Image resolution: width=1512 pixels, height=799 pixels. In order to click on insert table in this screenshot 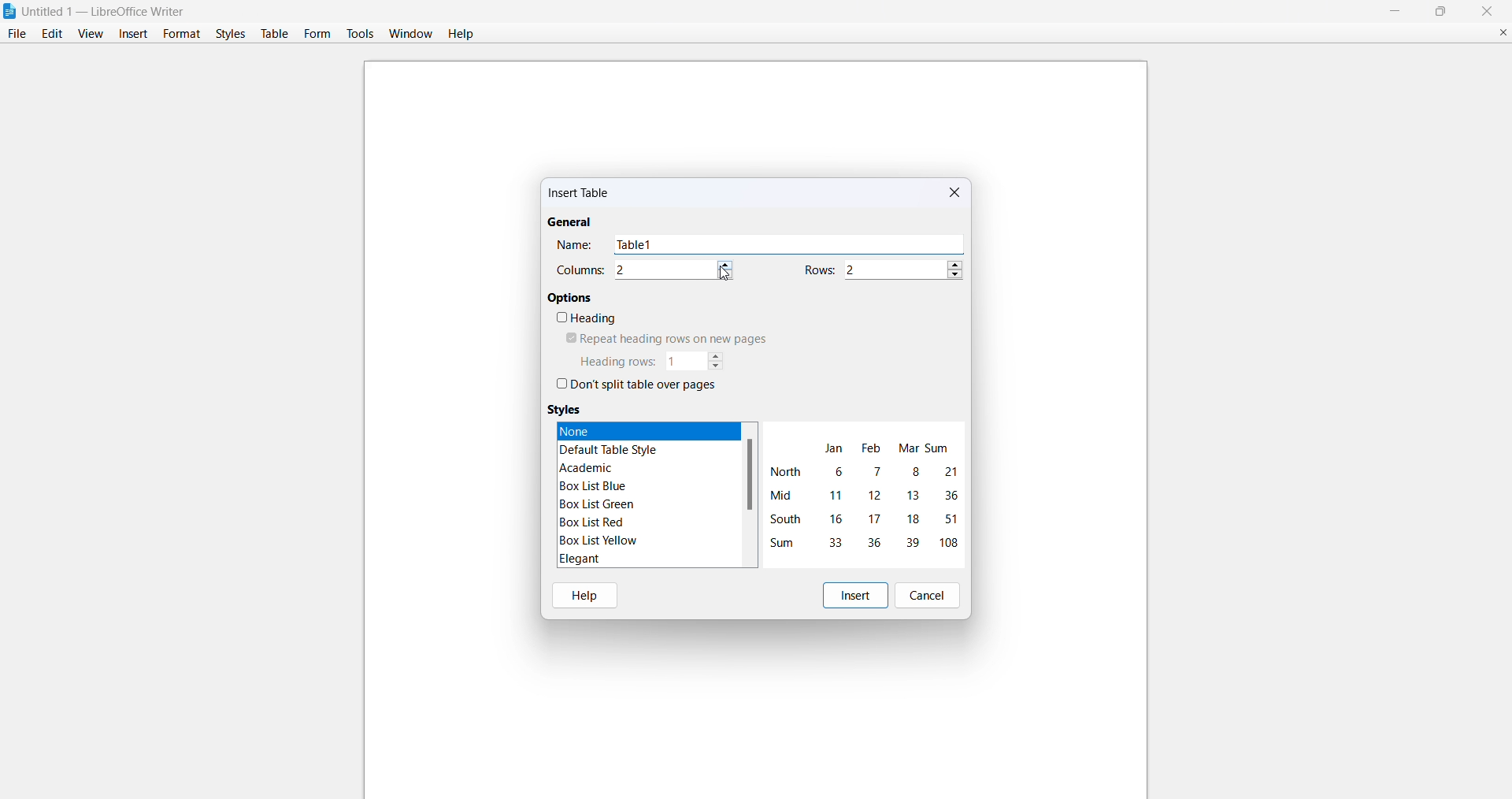, I will do `click(581, 195)`.